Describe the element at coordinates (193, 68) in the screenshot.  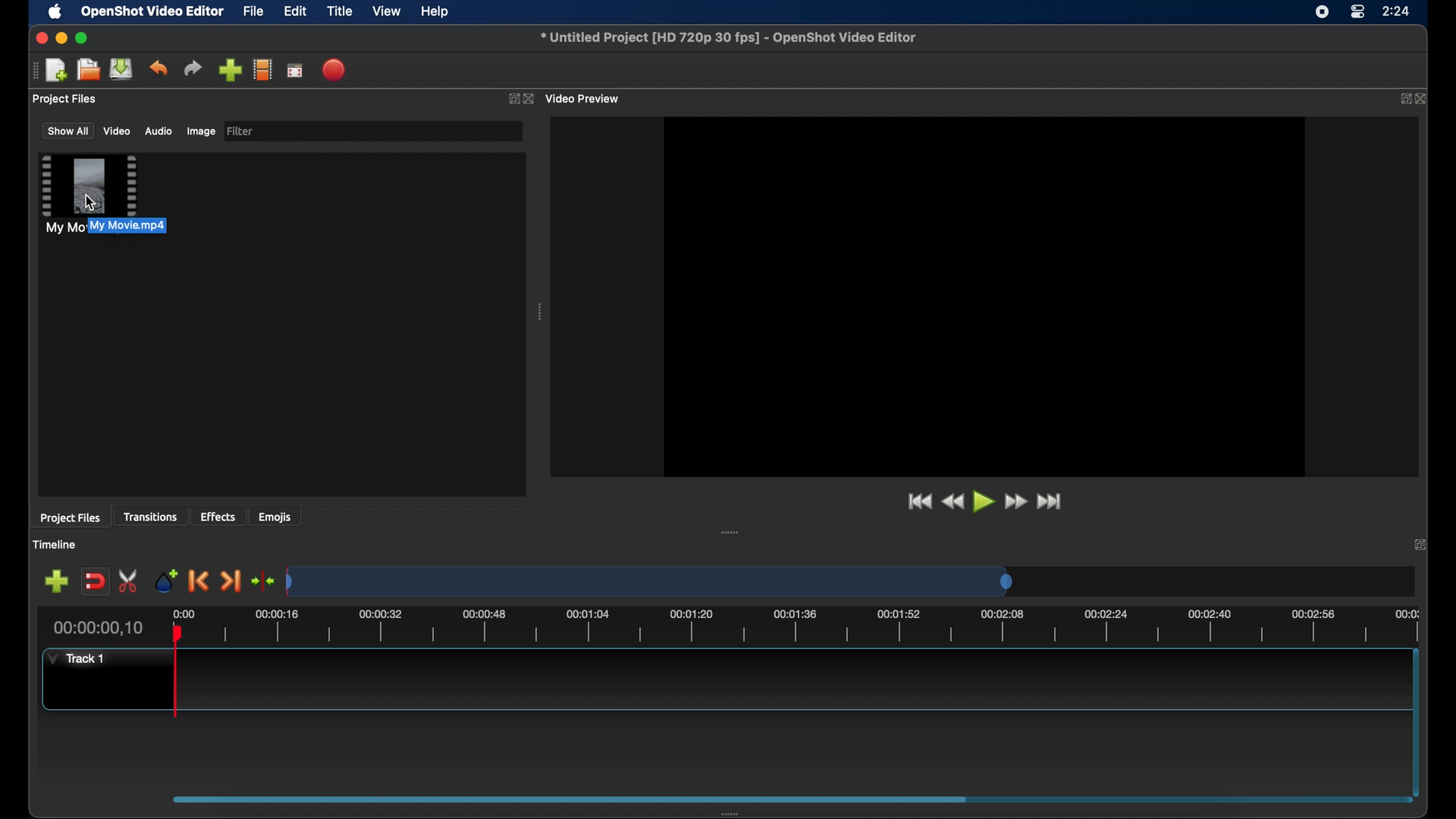
I see `redo` at that location.